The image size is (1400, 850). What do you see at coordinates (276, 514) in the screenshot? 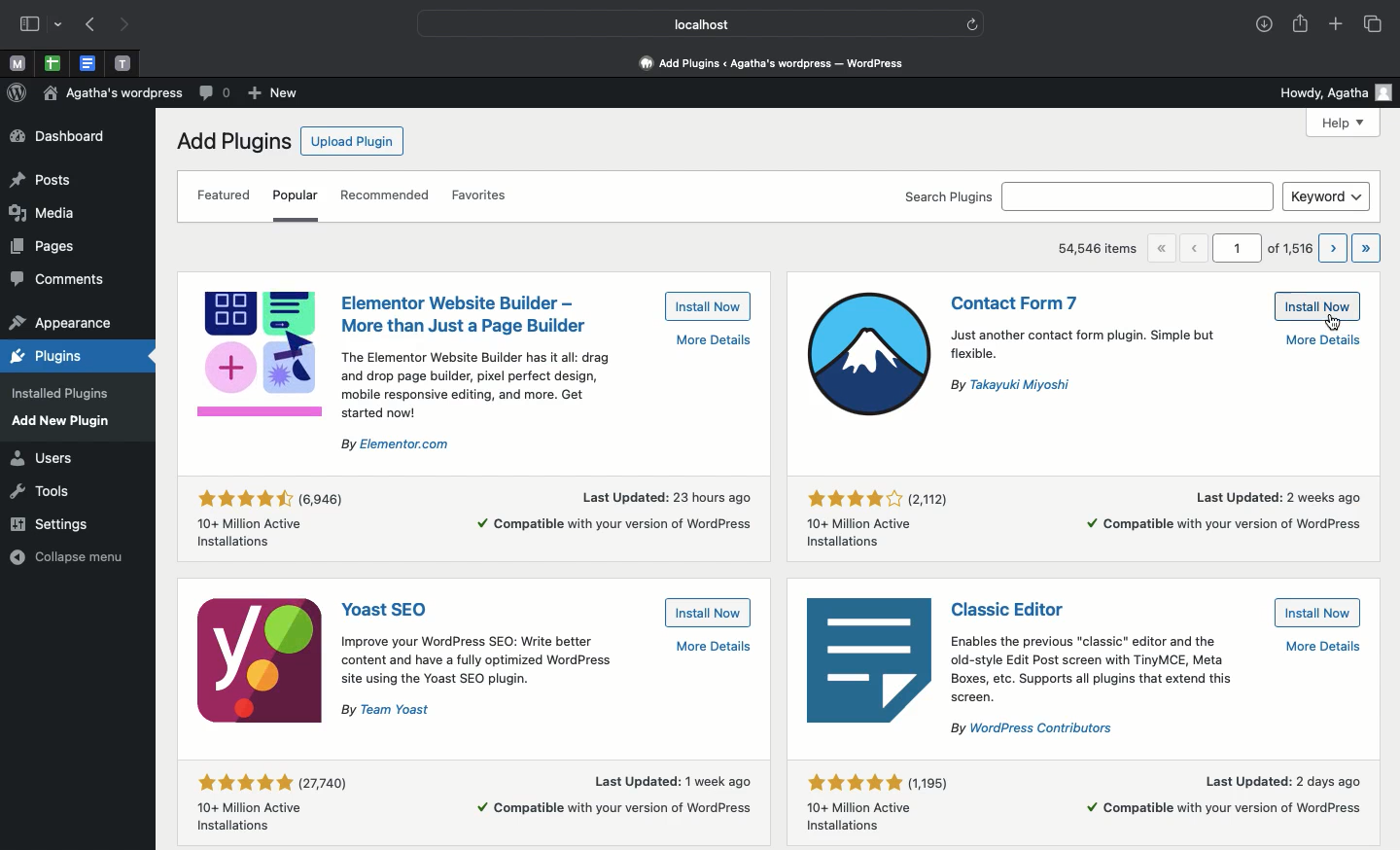
I see `Rating` at bounding box center [276, 514].